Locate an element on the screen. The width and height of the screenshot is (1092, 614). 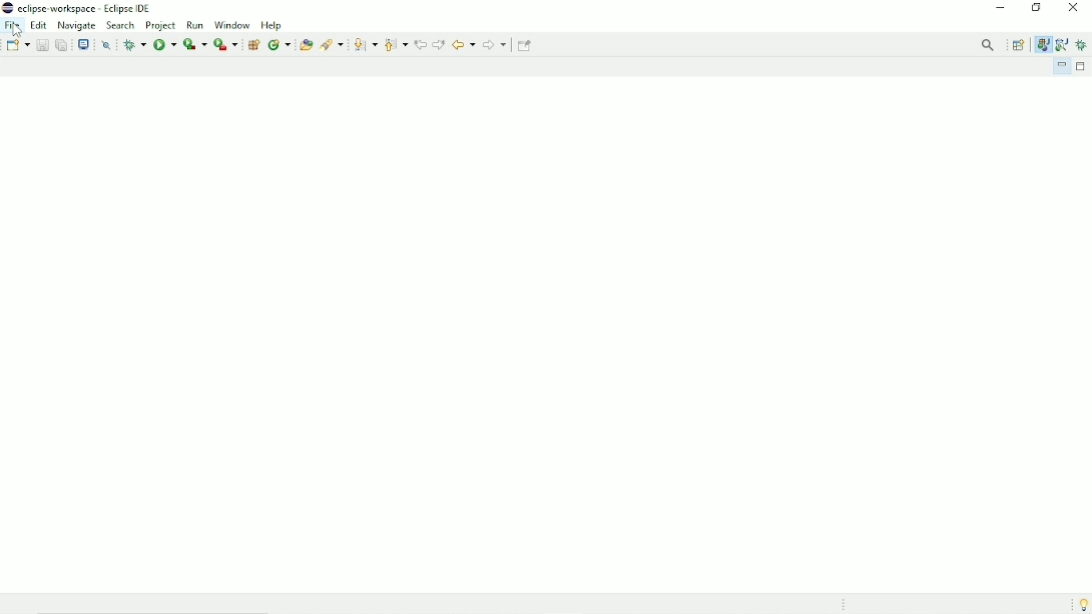
Java browsing is located at coordinates (1060, 45).